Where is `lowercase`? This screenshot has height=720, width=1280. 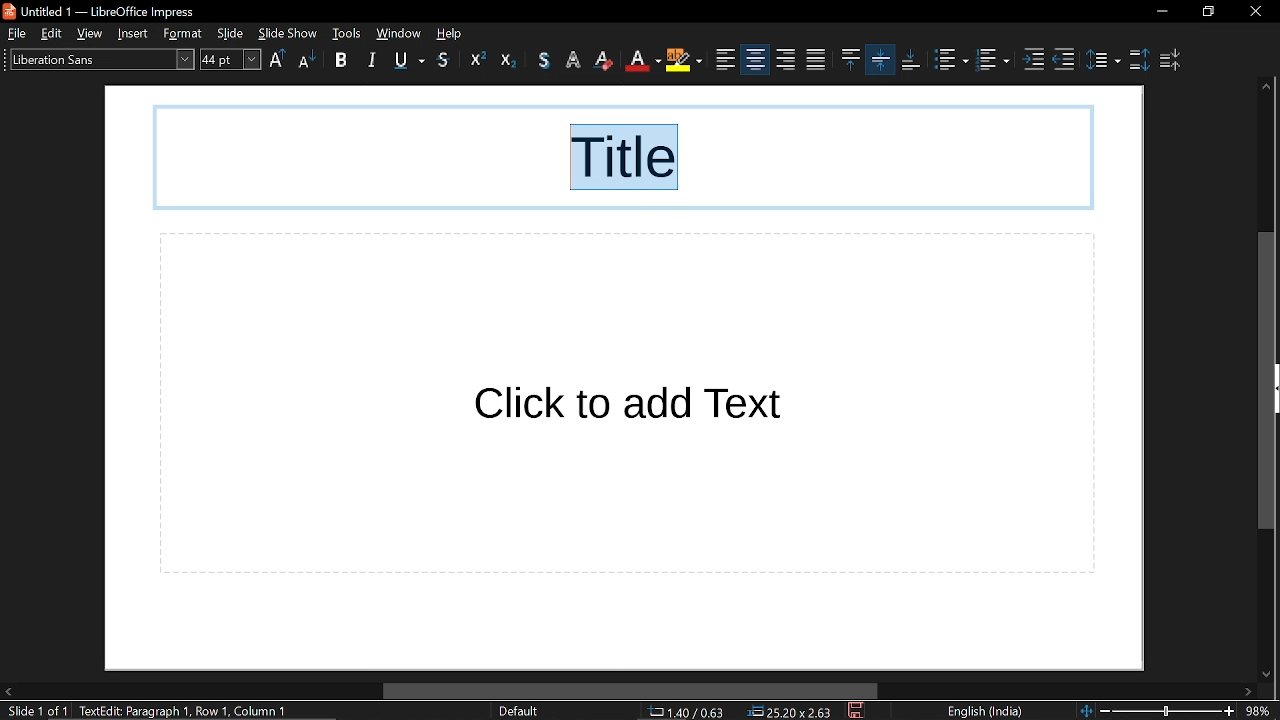
lowercase is located at coordinates (306, 62).